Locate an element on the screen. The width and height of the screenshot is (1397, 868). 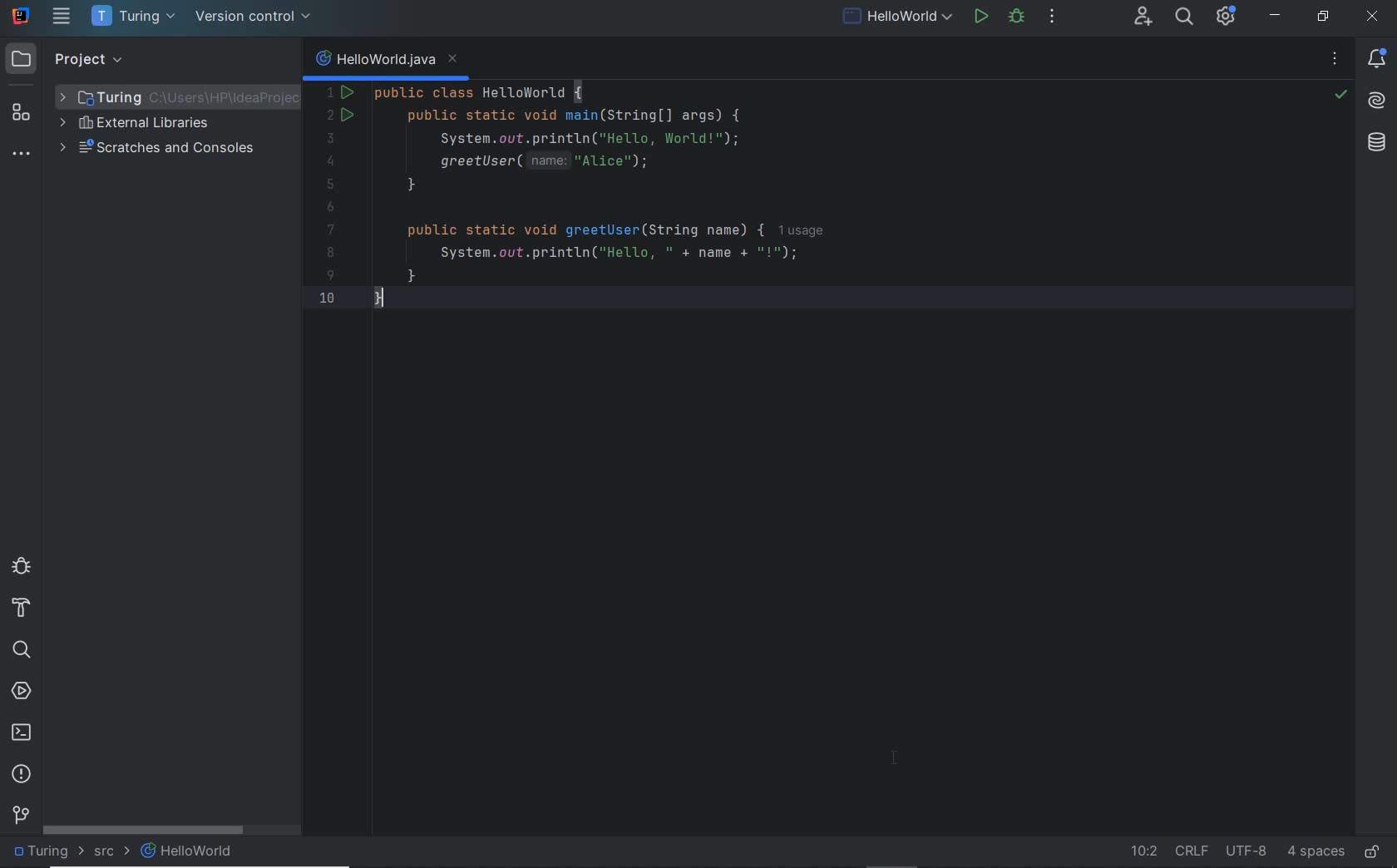
no problems highlighted is located at coordinates (1340, 95).